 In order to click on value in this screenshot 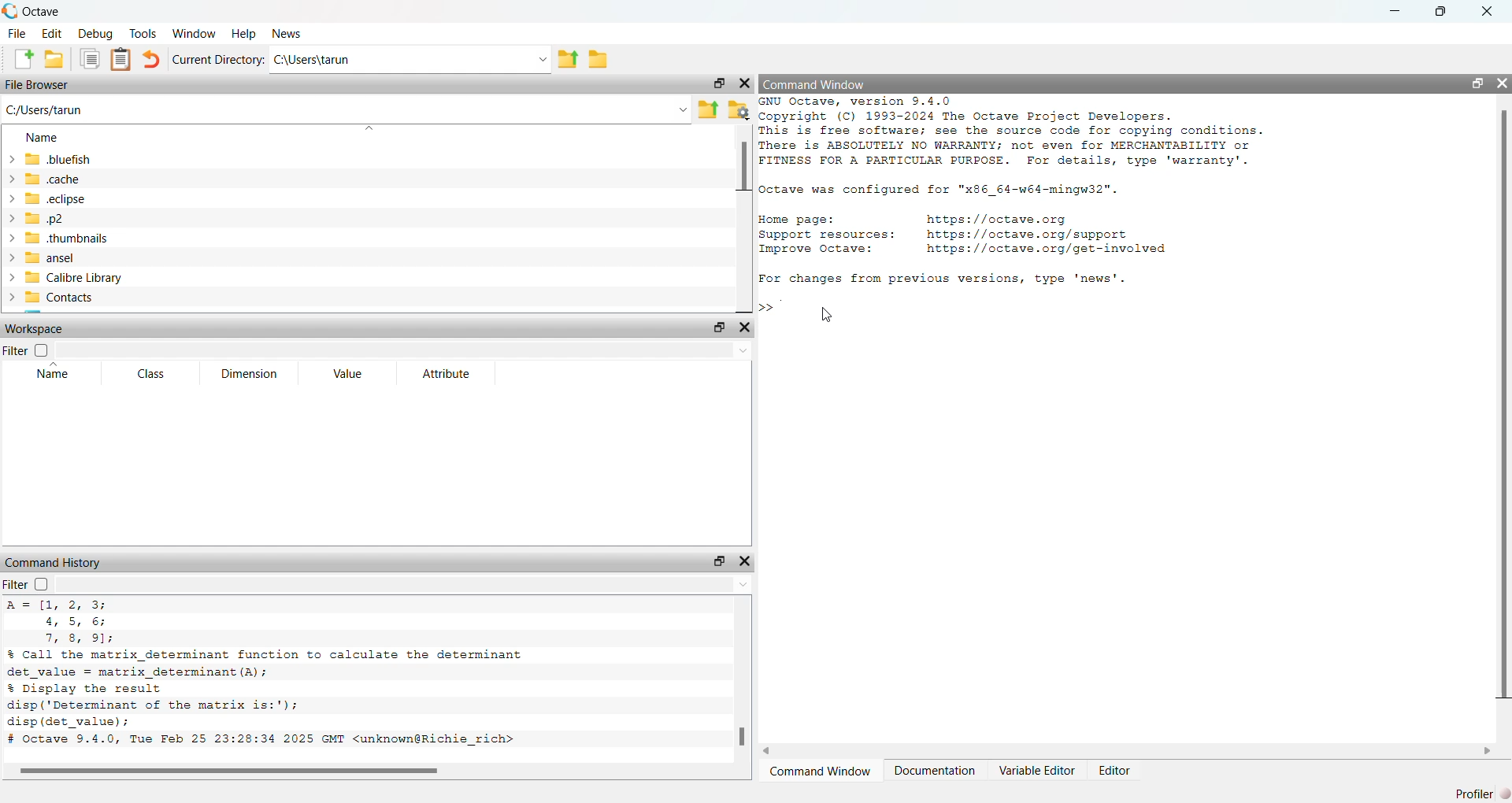, I will do `click(350, 375)`.